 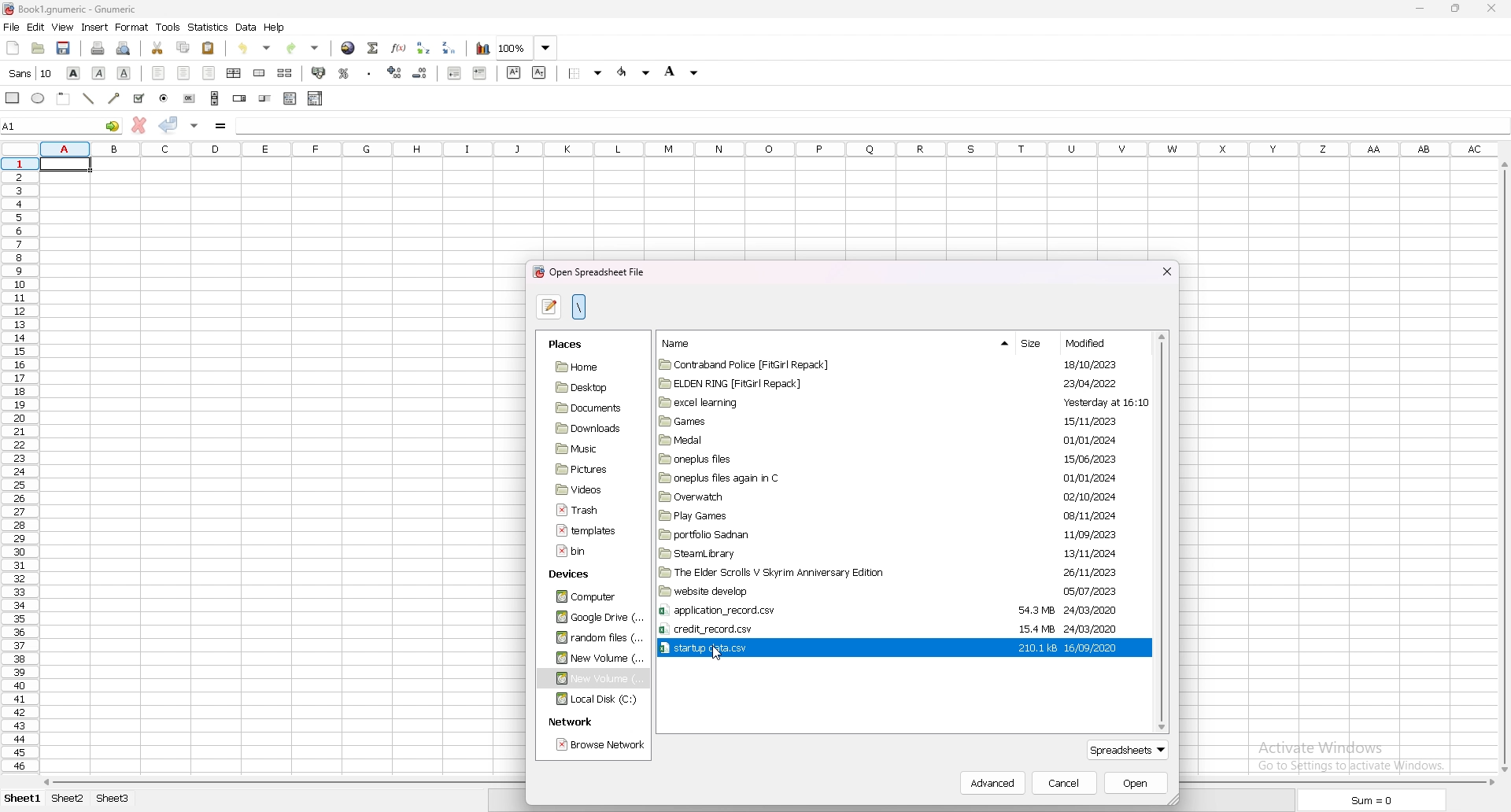 I want to click on increase indent, so click(x=480, y=73).